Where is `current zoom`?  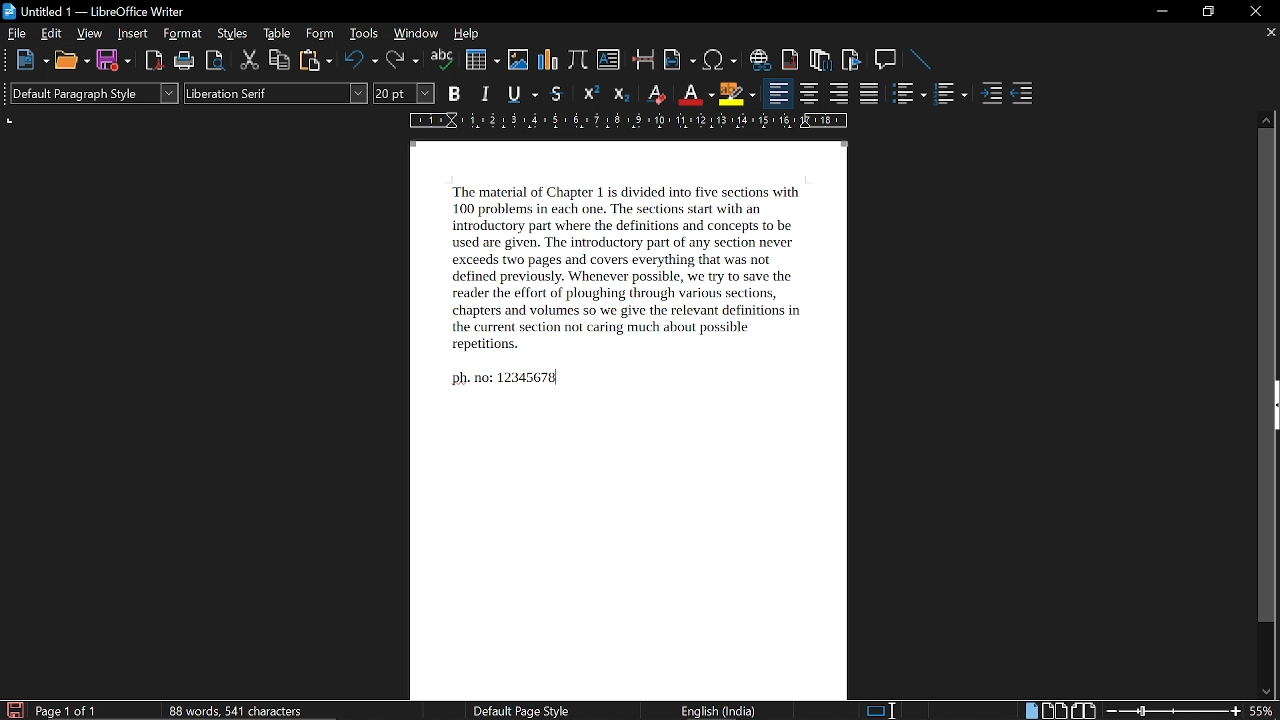 current zoom is located at coordinates (1264, 712).